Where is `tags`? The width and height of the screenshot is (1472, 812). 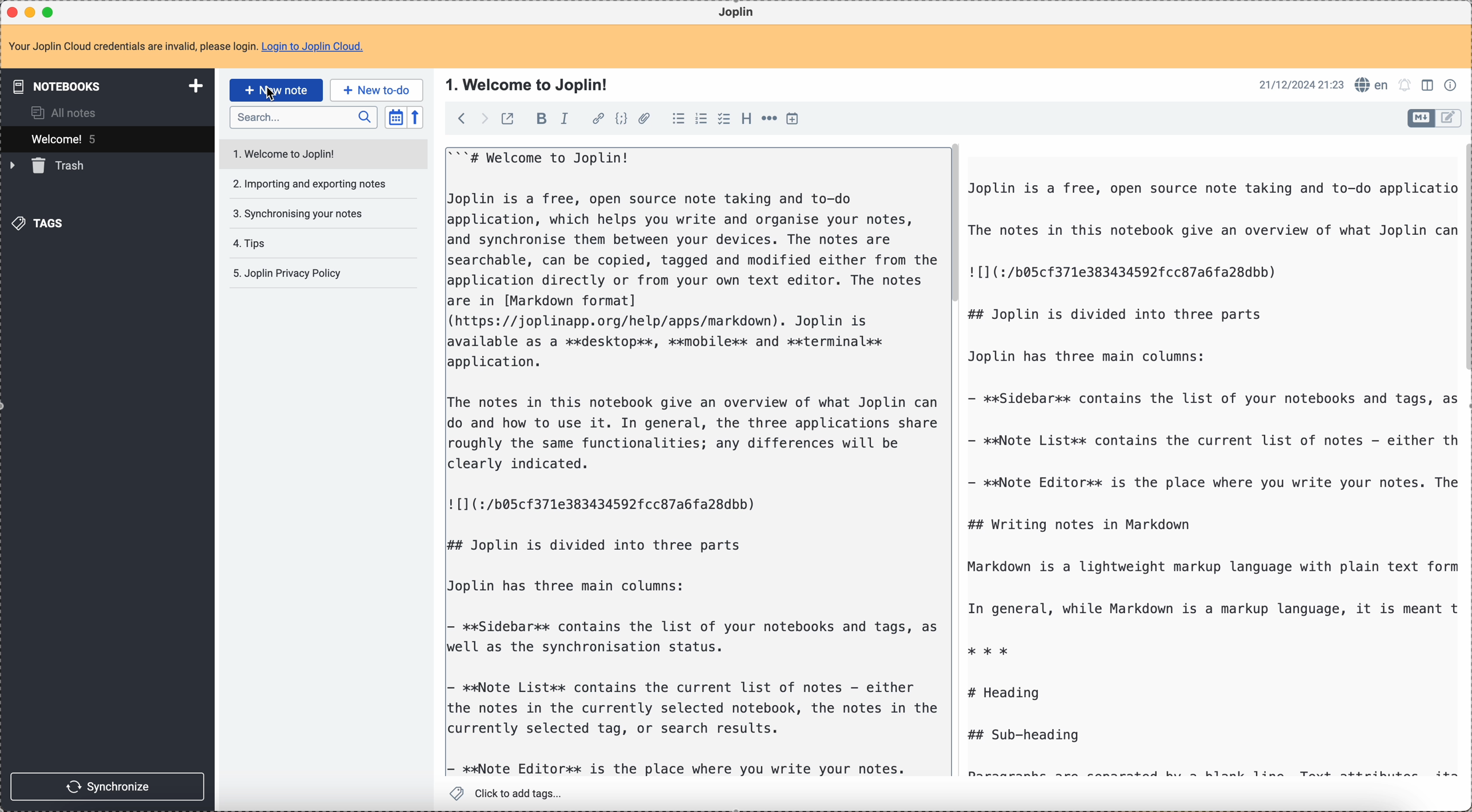
tags is located at coordinates (42, 223).